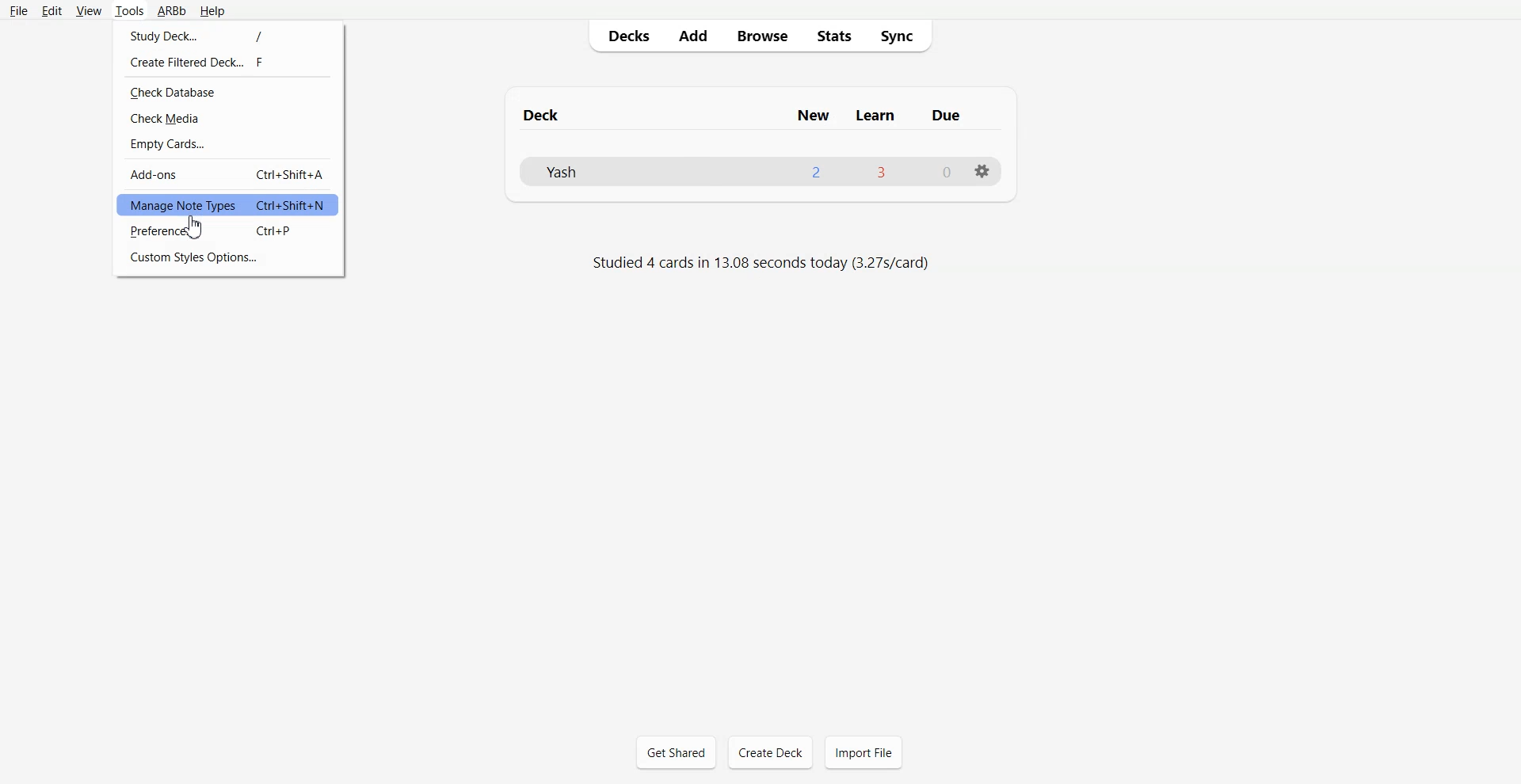 This screenshot has width=1521, height=784. I want to click on Empty Cards, so click(228, 144).